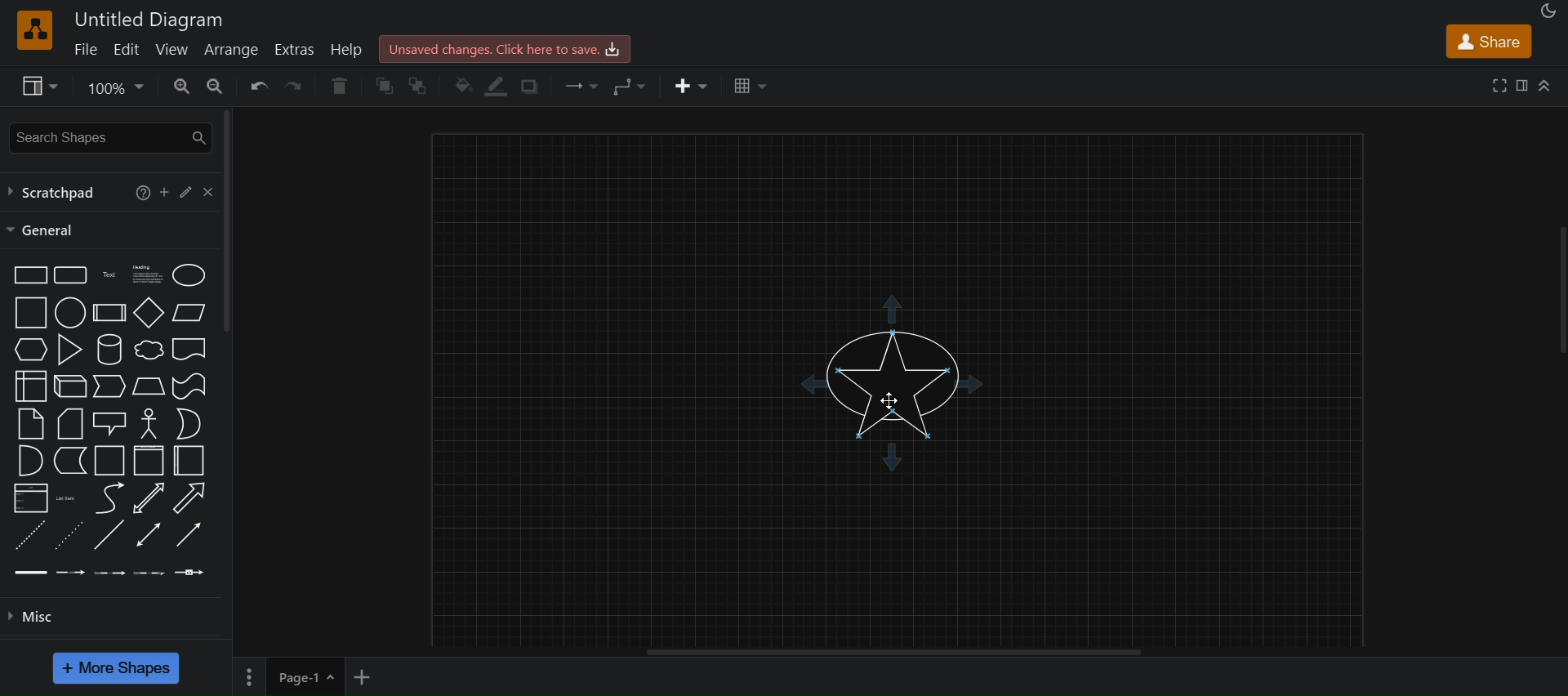 The height and width of the screenshot is (696, 1568). What do you see at coordinates (116, 87) in the screenshot?
I see `zoom` at bounding box center [116, 87].